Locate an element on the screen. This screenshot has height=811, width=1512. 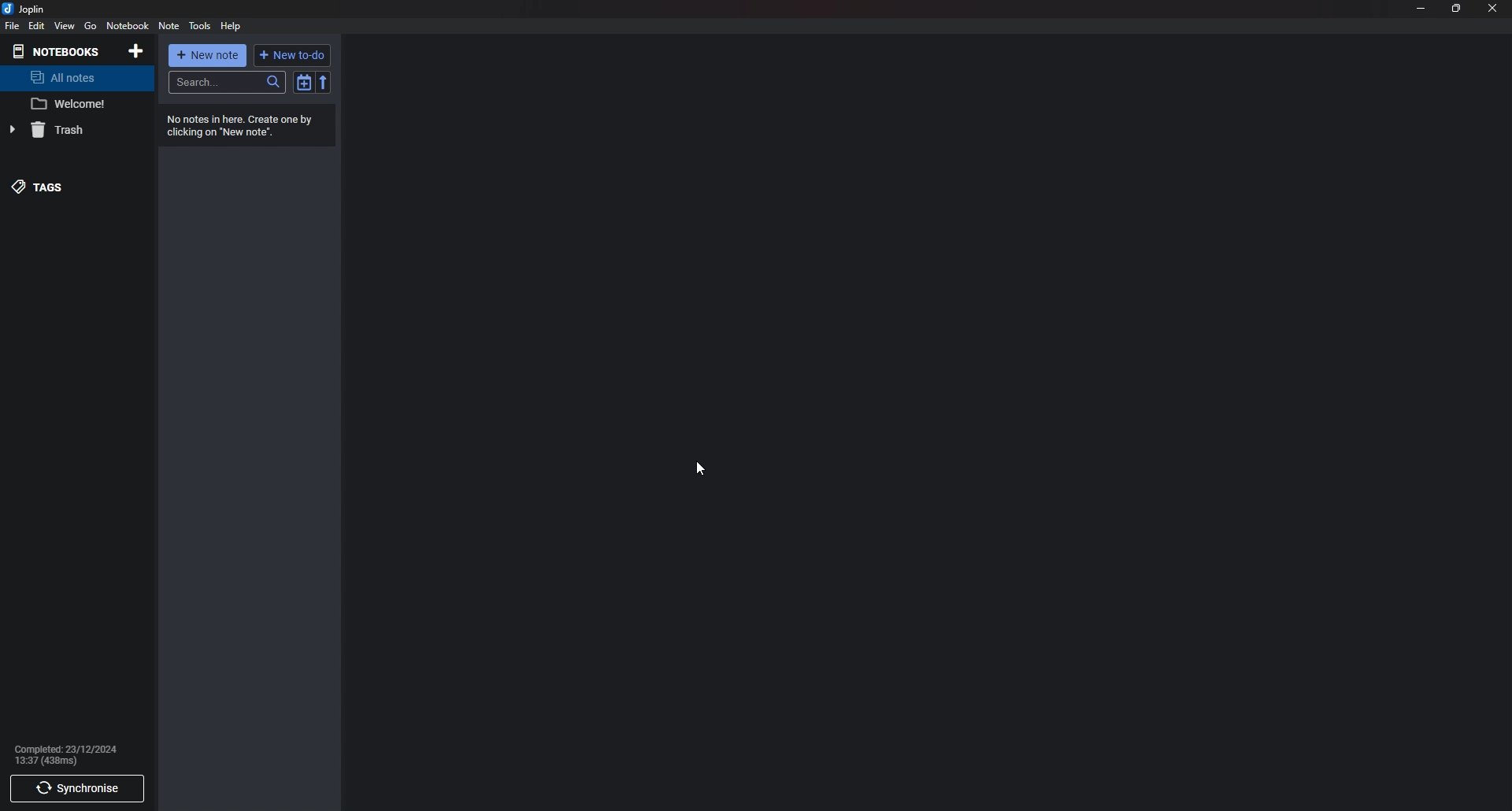
cursor is located at coordinates (701, 468).